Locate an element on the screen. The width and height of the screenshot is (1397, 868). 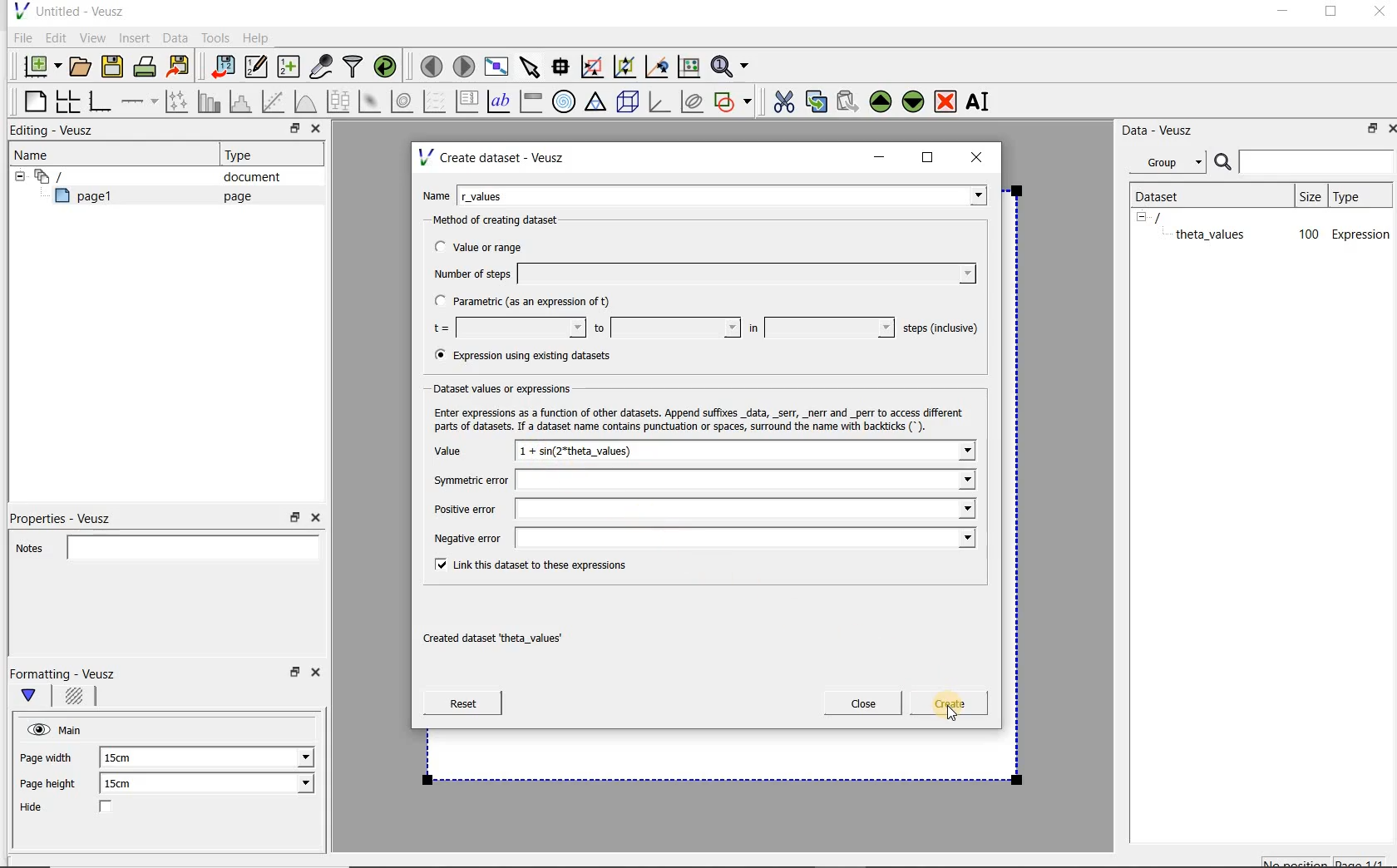
100 is located at coordinates (1307, 235).